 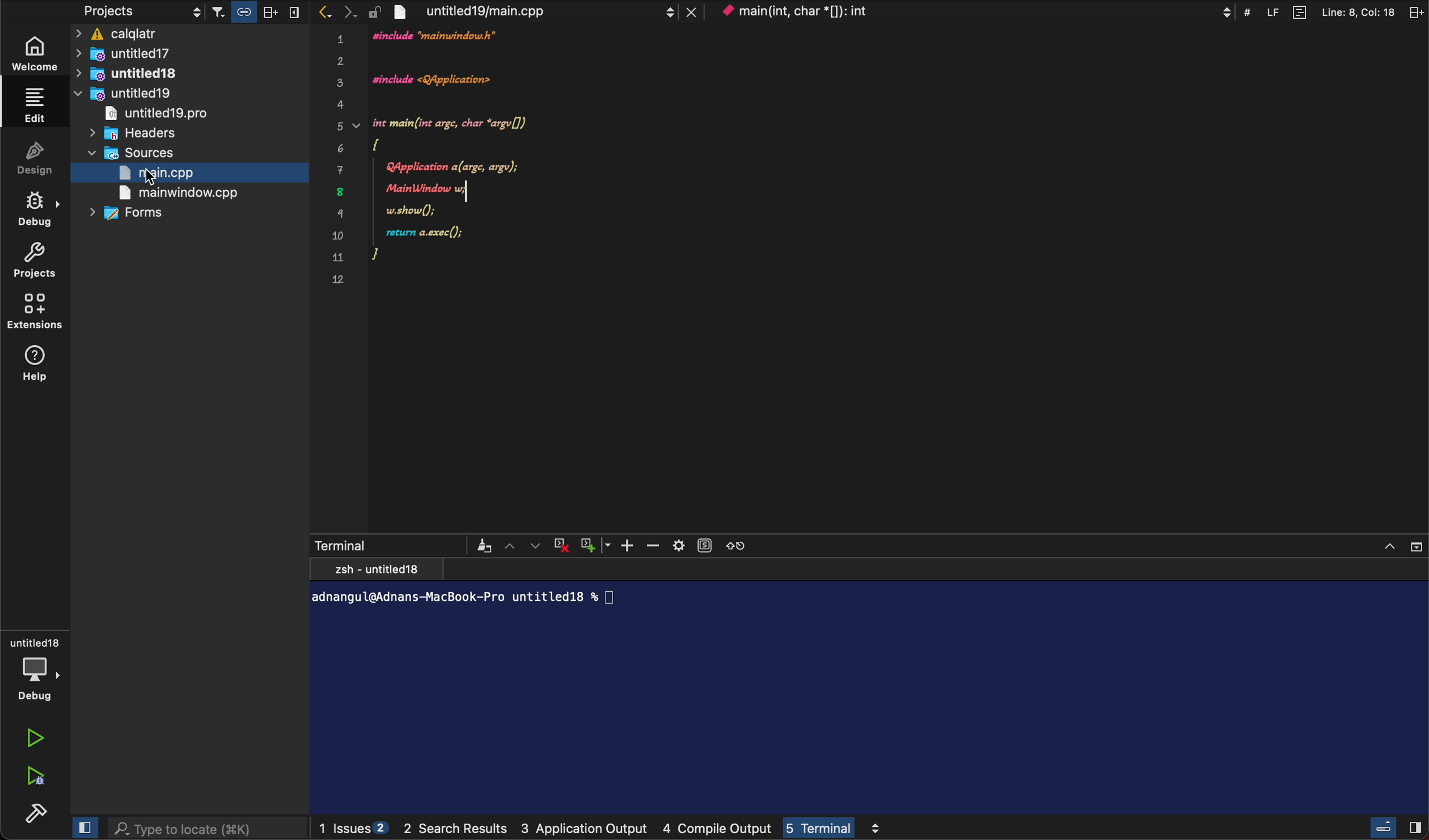 I want to click on debug, so click(x=43, y=210).